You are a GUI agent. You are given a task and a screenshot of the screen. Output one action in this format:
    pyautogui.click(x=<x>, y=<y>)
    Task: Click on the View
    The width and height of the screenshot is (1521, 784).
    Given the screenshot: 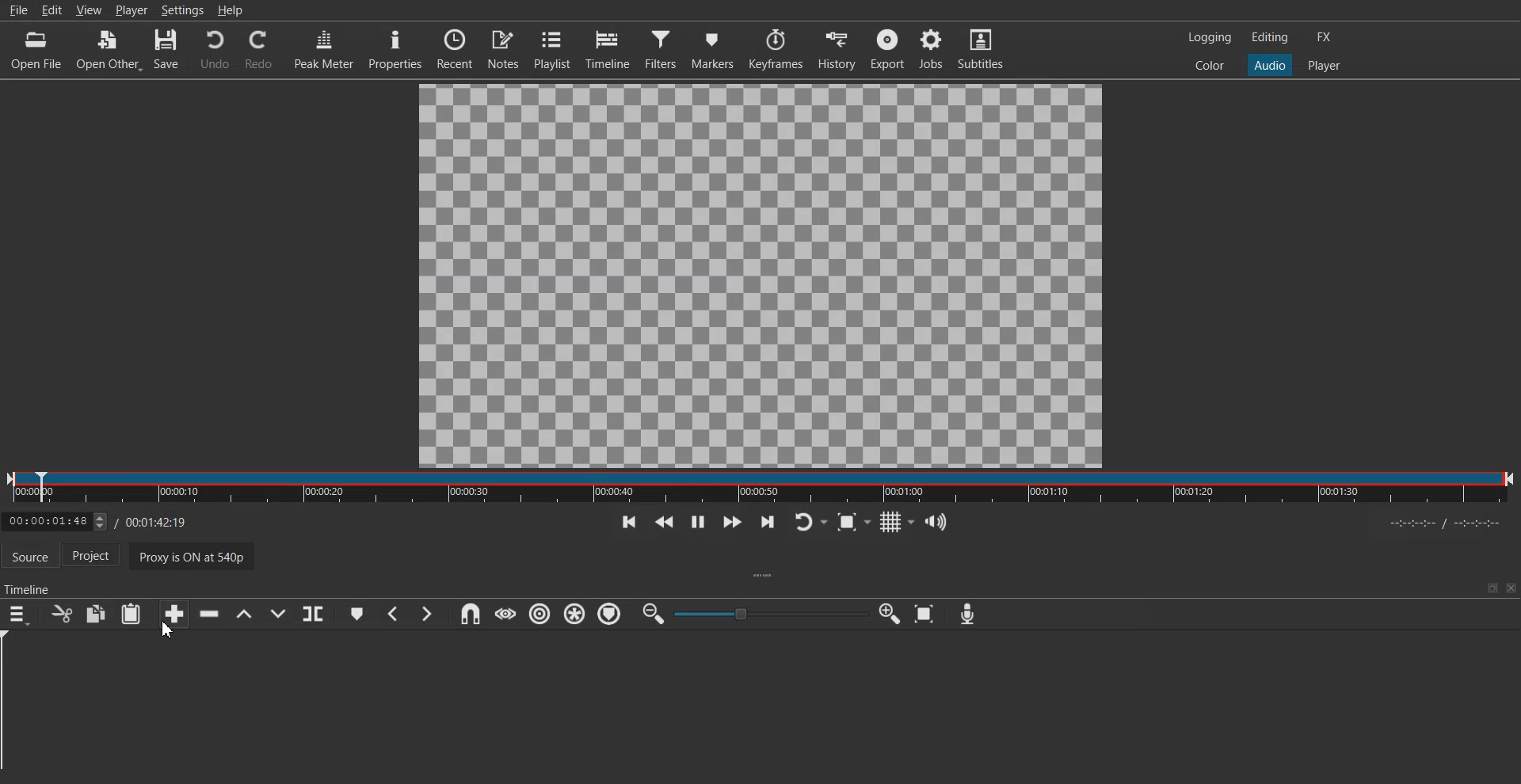 What is the action you would take?
    pyautogui.click(x=90, y=10)
    